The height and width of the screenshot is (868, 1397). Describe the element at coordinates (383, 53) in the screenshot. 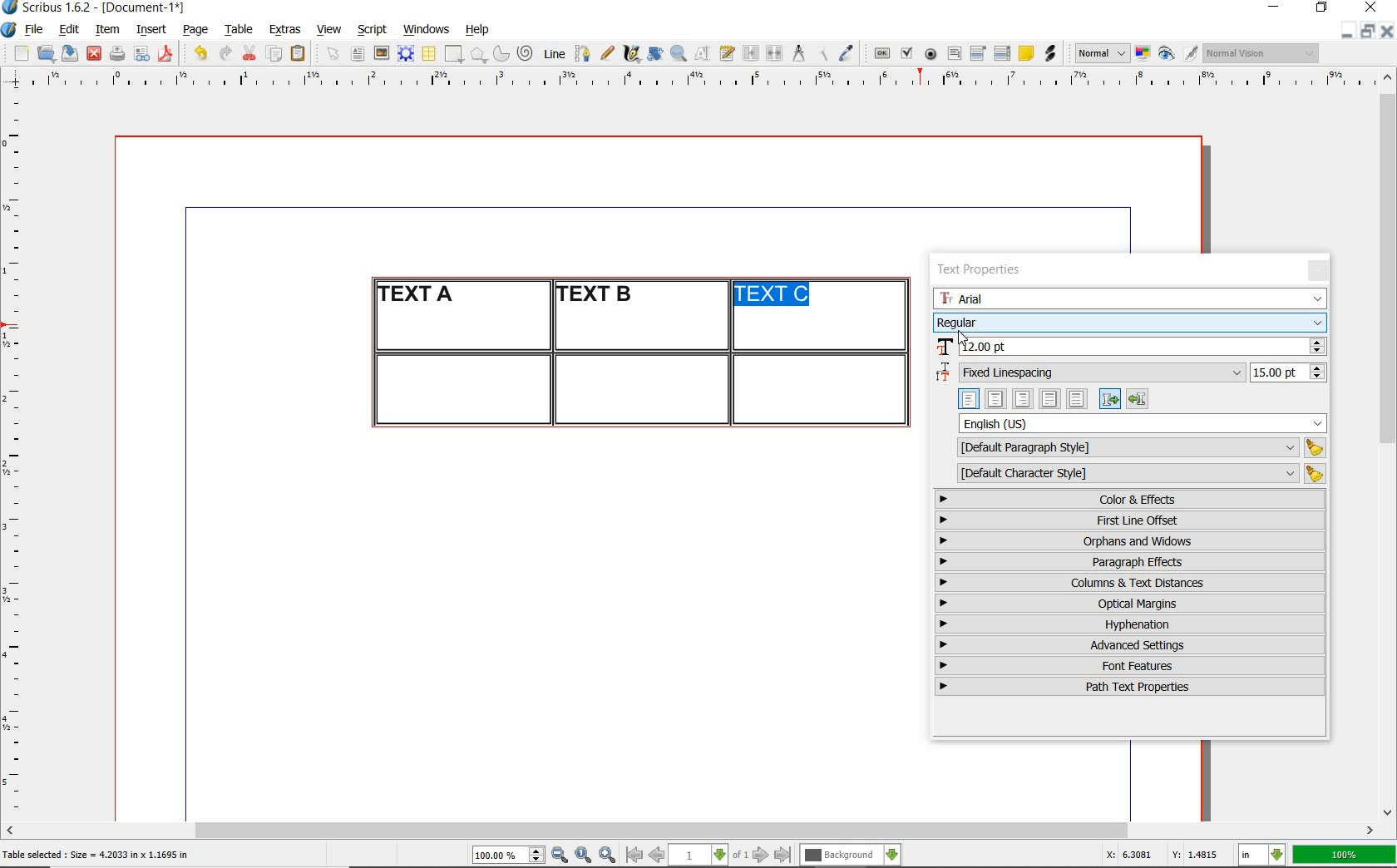

I see `image frame` at that location.